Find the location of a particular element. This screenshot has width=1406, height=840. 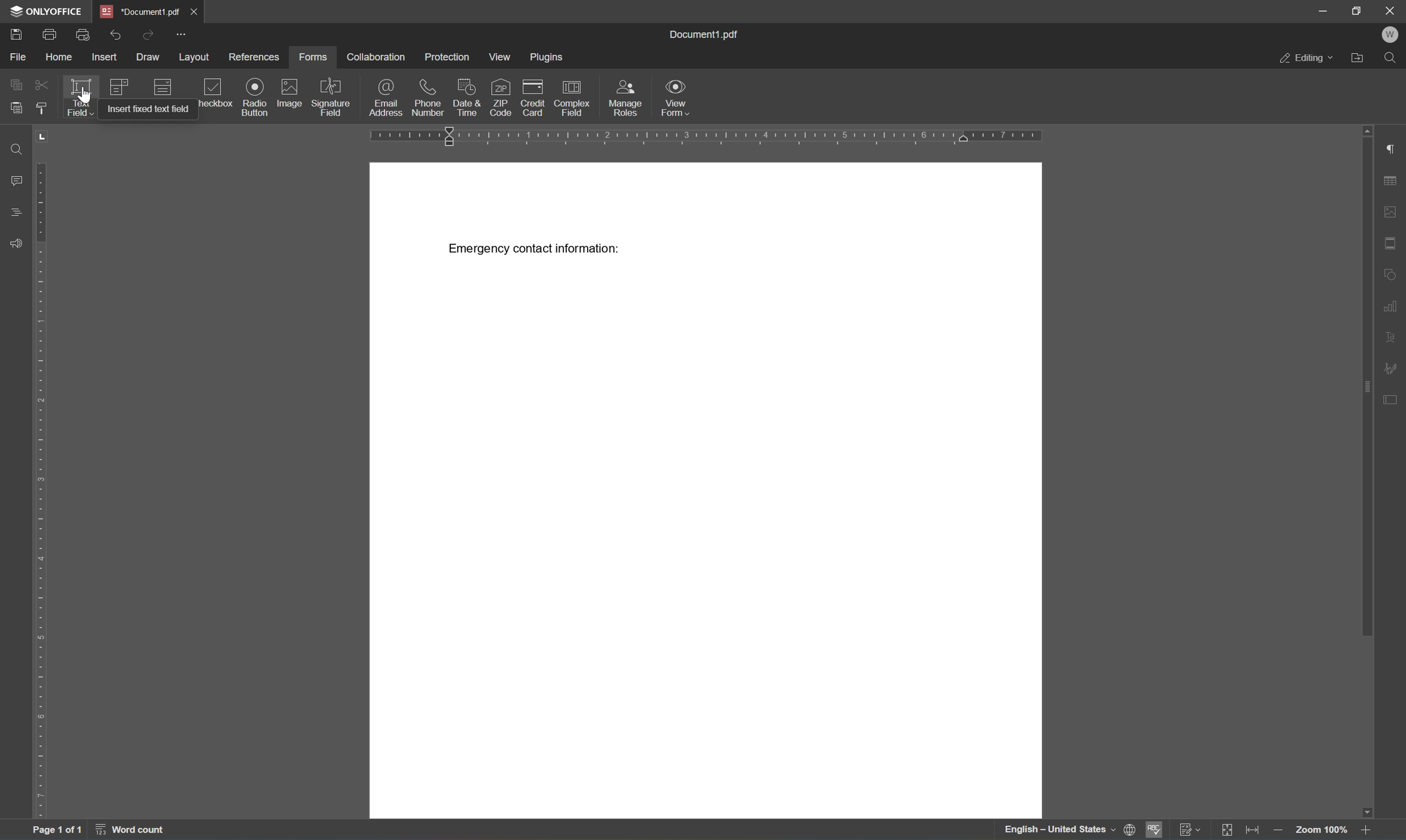

headings is located at coordinates (16, 212).